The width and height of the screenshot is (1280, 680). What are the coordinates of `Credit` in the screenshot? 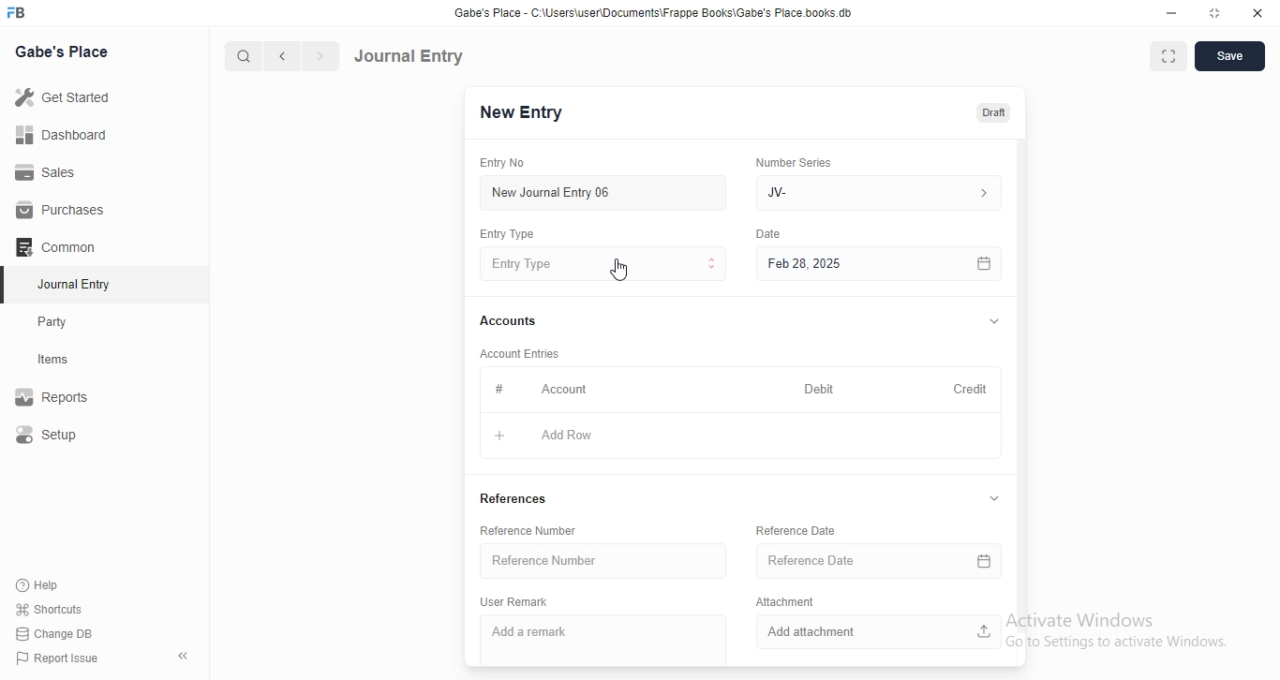 It's located at (969, 388).